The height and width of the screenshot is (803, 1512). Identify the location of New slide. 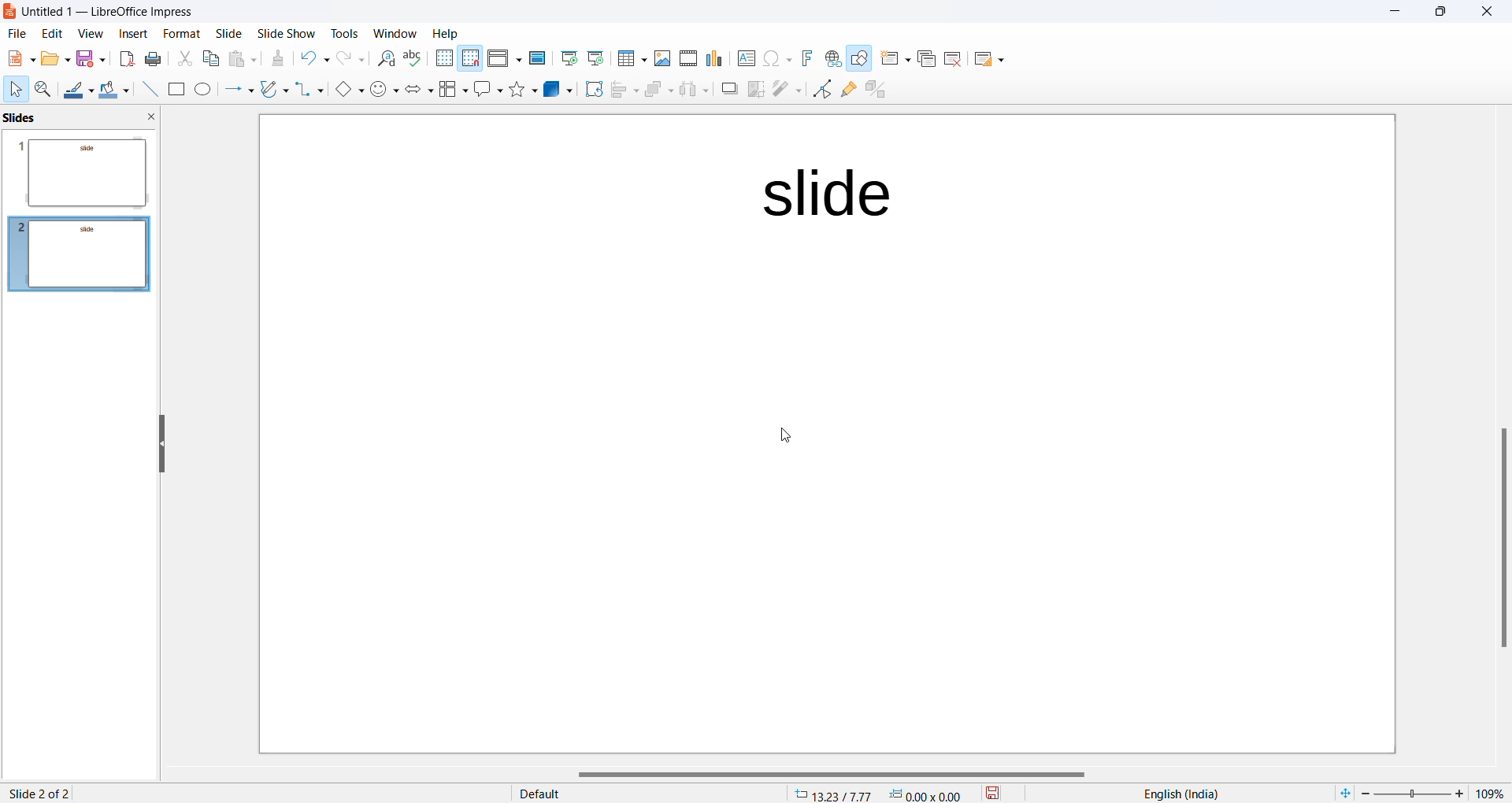
(892, 60).